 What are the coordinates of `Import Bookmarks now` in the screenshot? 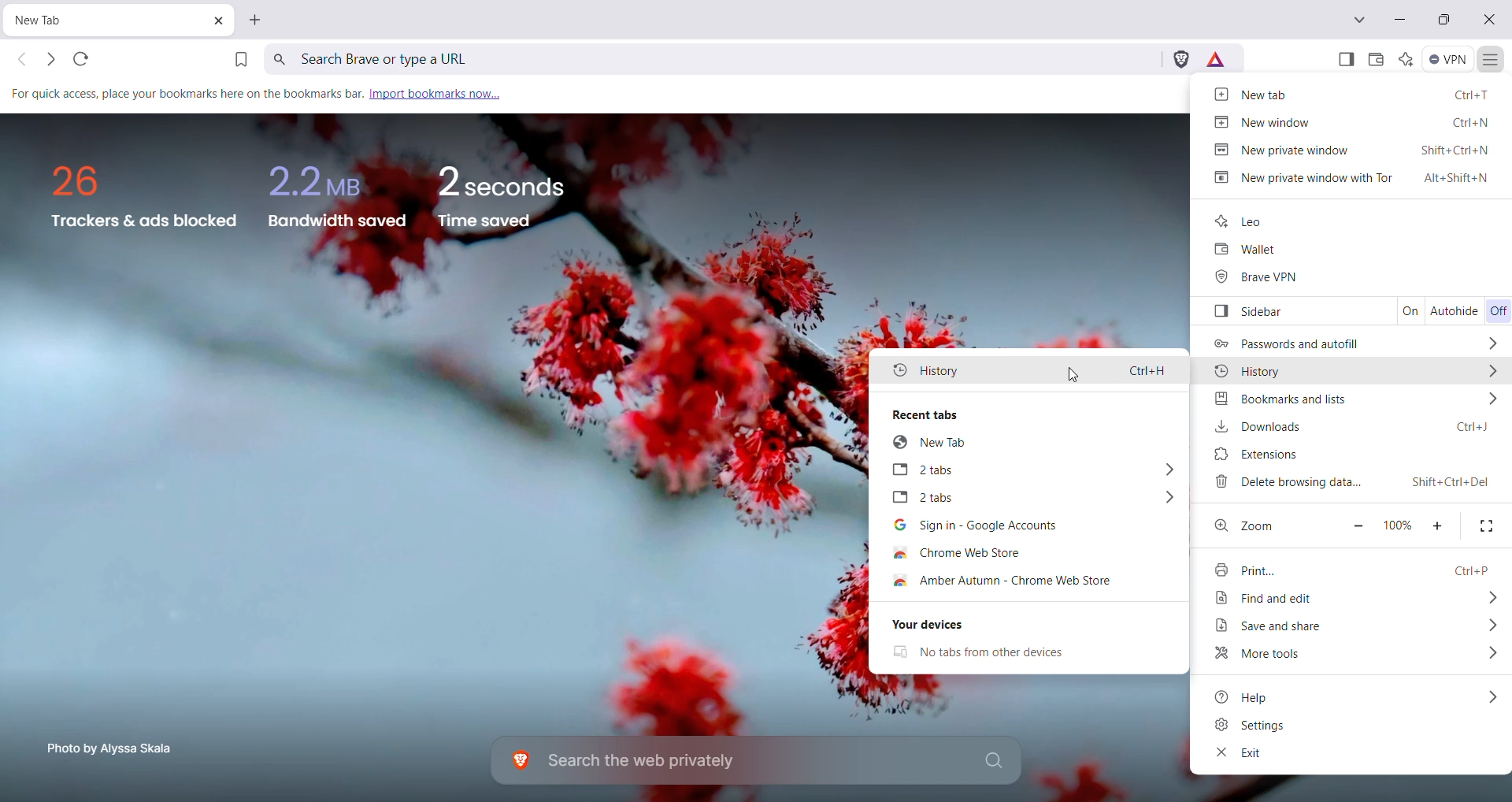 It's located at (435, 92).